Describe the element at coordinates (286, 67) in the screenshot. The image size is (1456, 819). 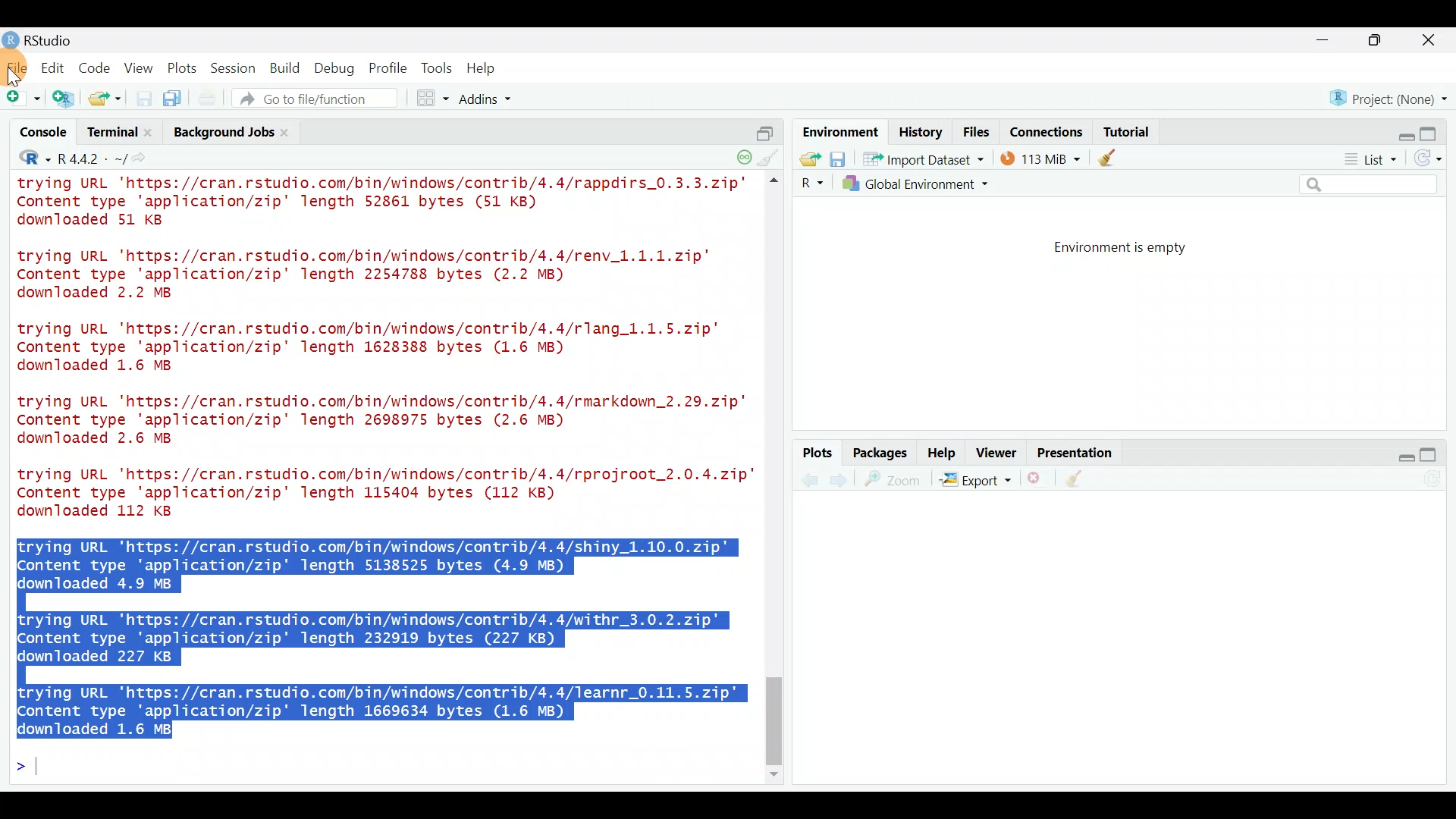
I see `Build` at that location.